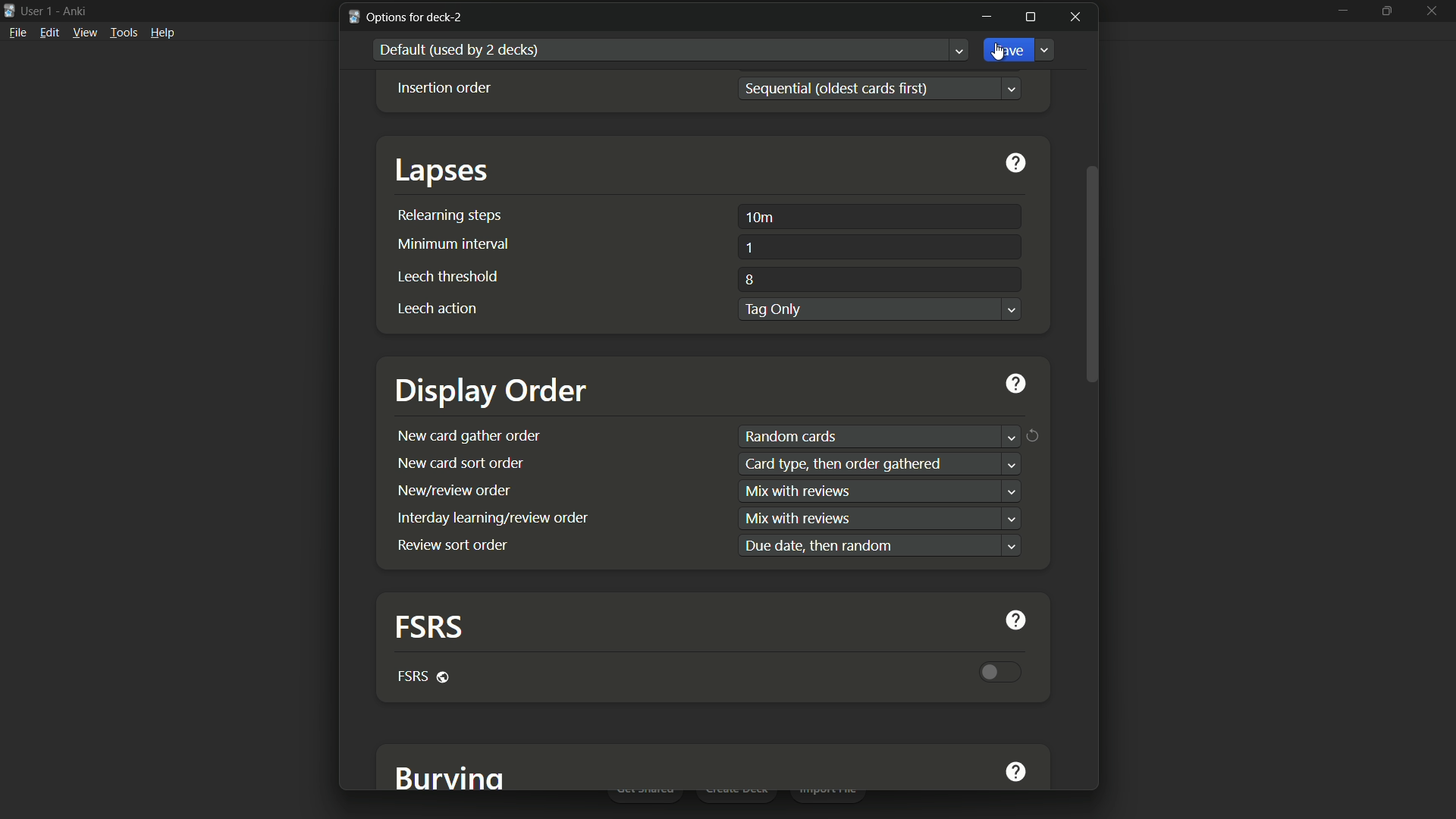 The width and height of the screenshot is (1456, 819). What do you see at coordinates (1009, 517) in the screenshot?
I see `dropdown` at bounding box center [1009, 517].